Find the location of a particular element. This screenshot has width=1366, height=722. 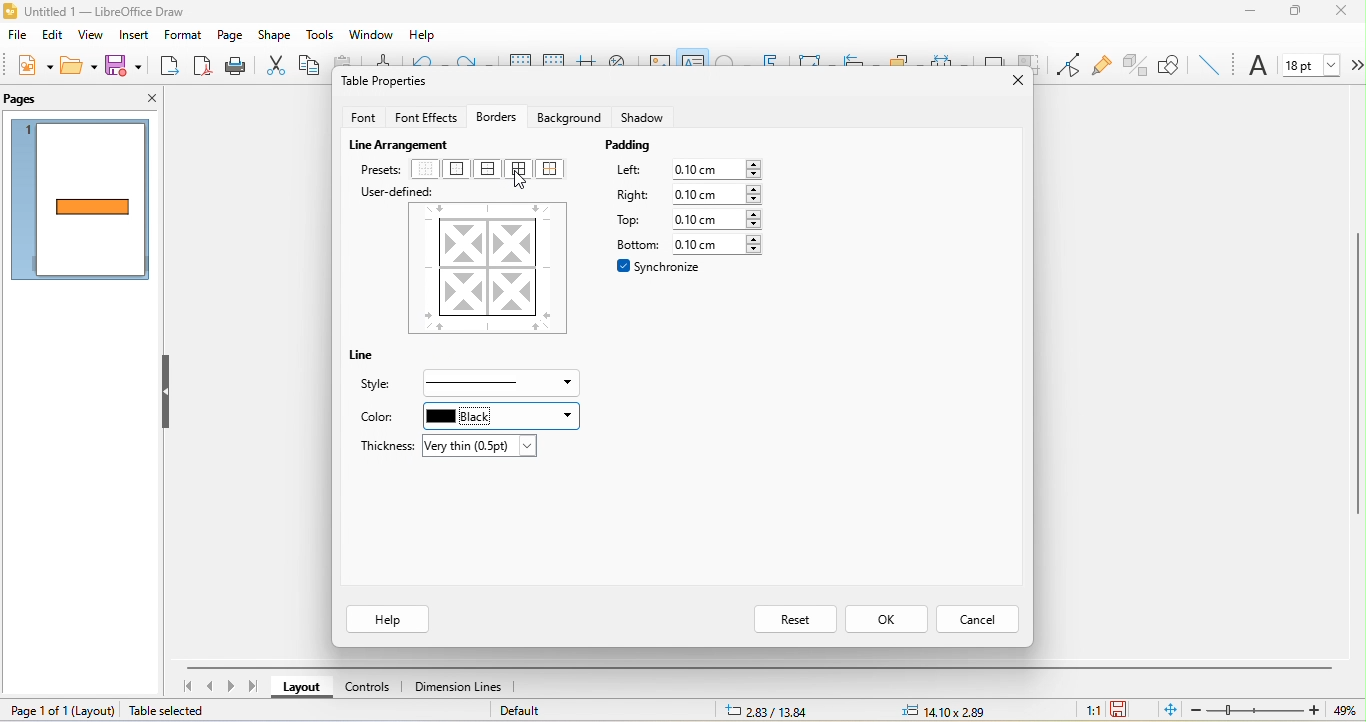

table selected is located at coordinates (170, 712).